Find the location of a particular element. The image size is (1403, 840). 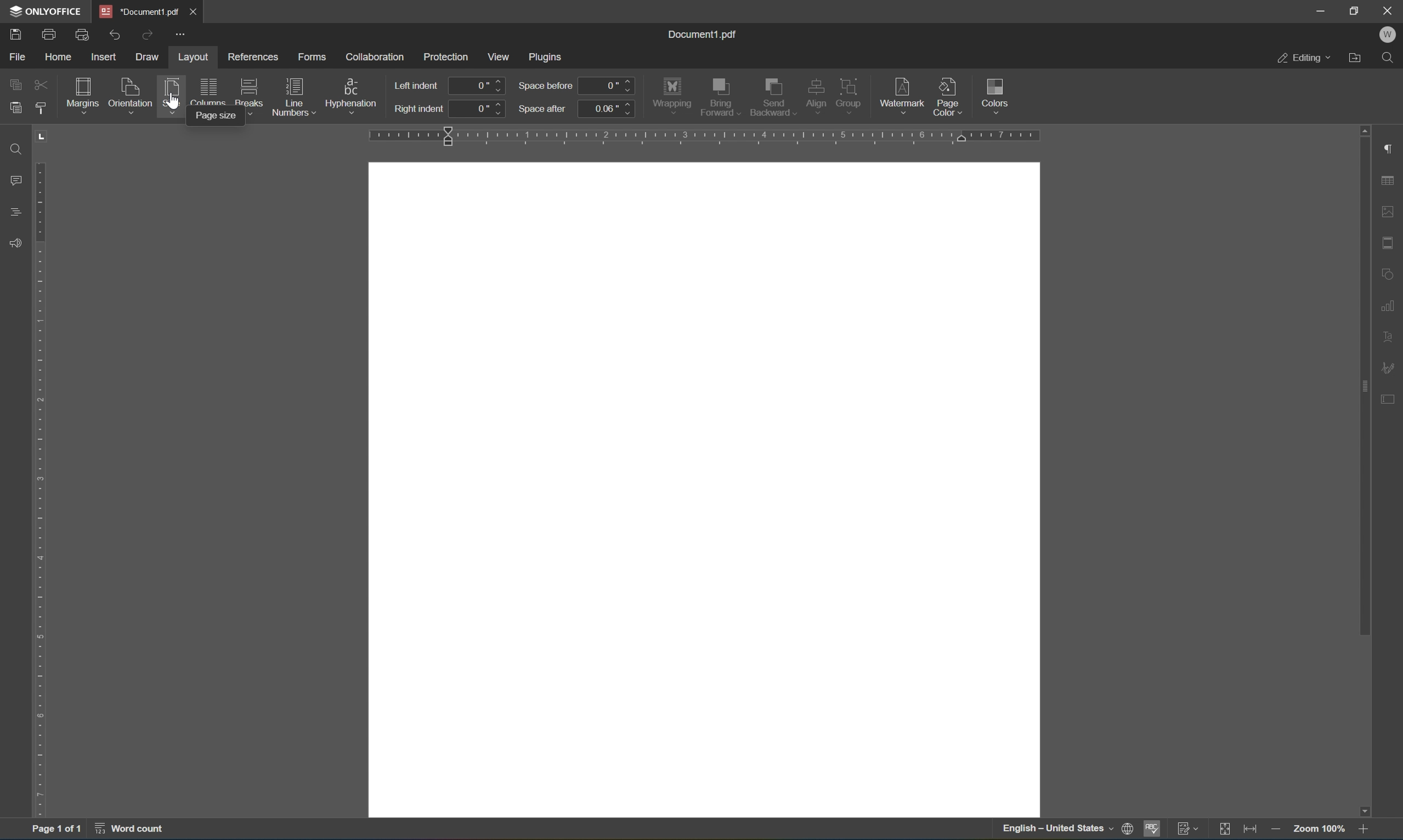

watermark is located at coordinates (901, 92).